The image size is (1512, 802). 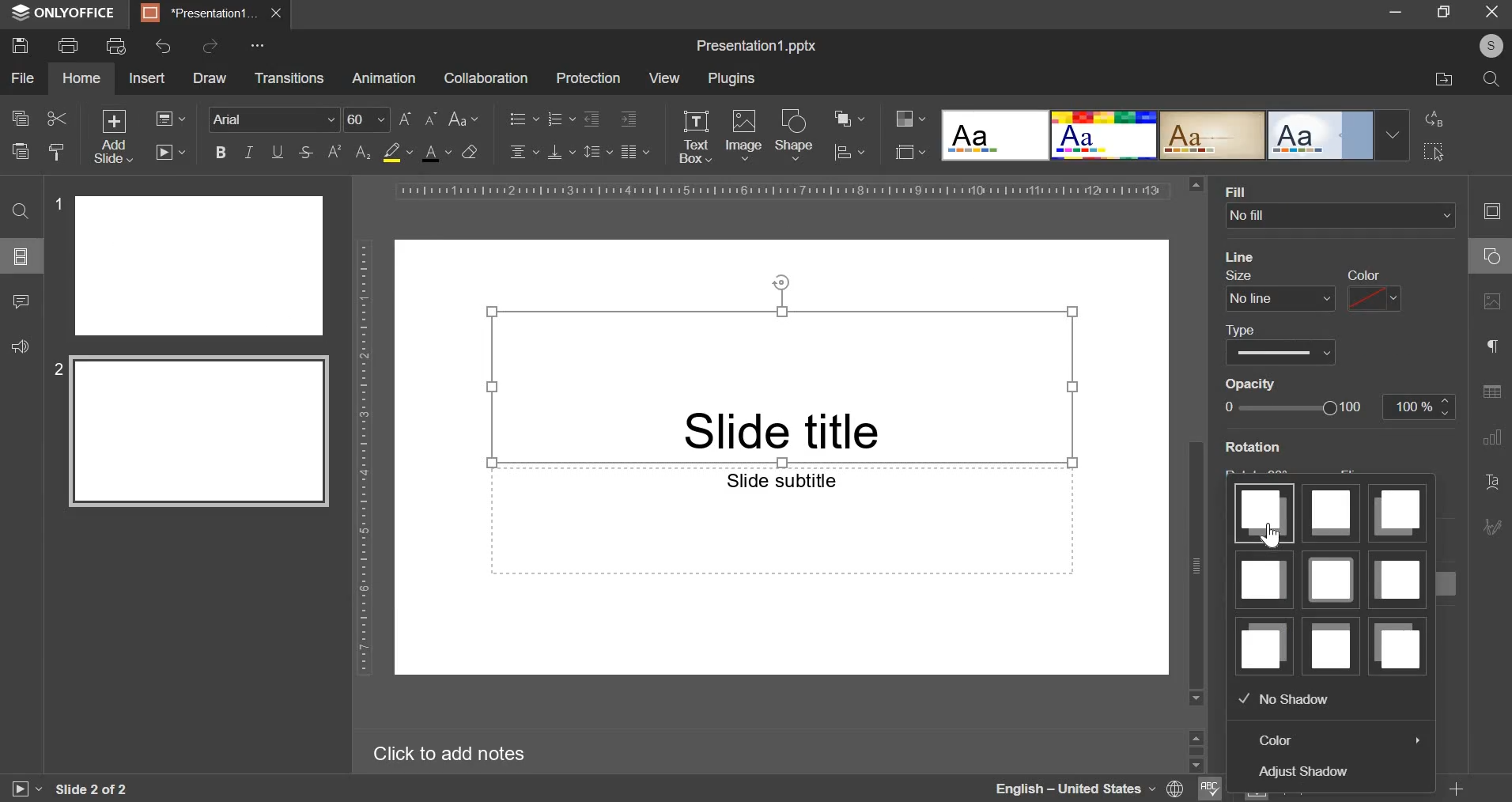 I want to click on search, so click(x=1491, y=79).